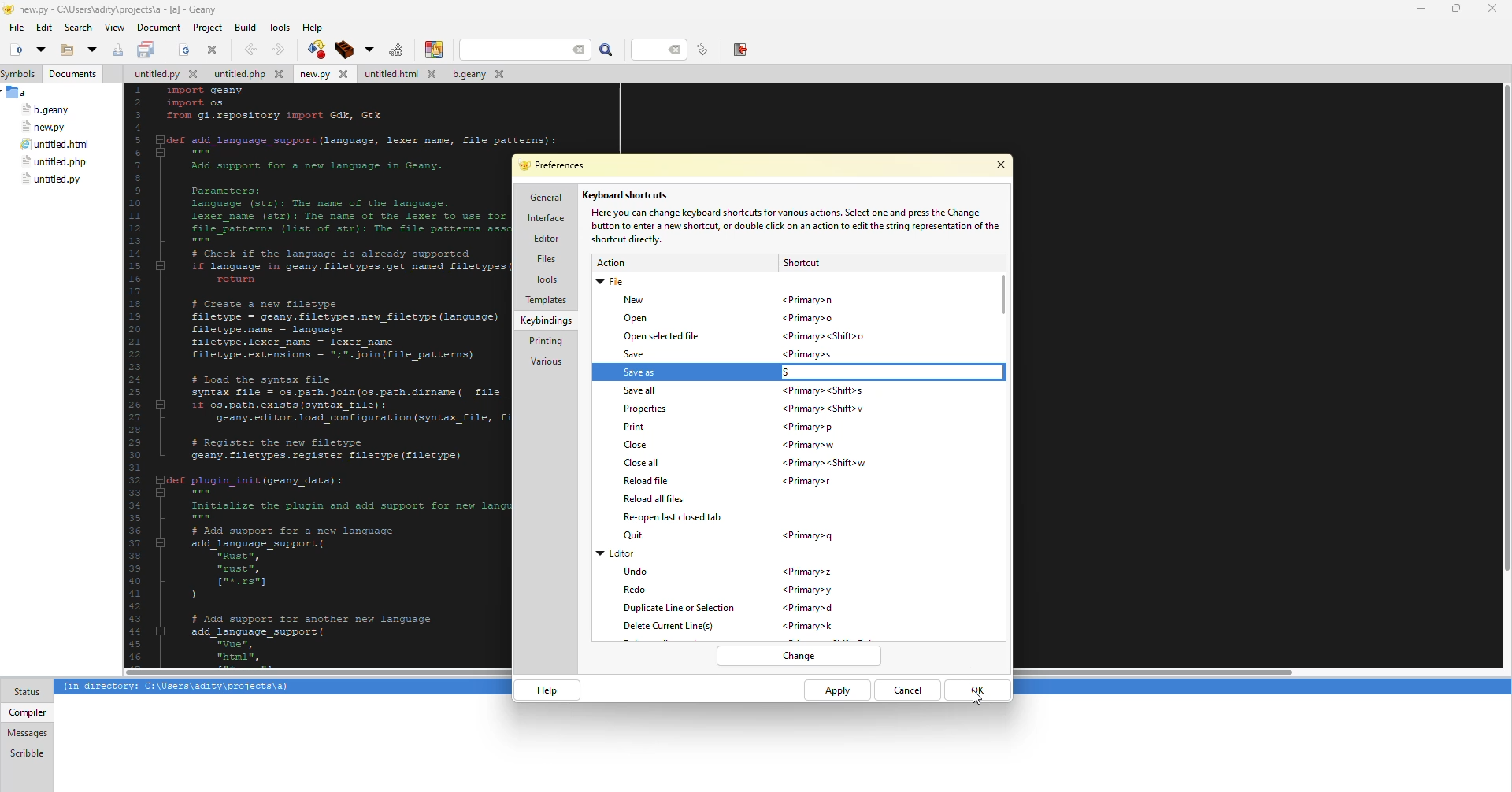 This screenshot has width=1512, height=792. What do you see at coordinates (25, 753) in the screenshot?
I see `scribble` at bounding box center [25, 753].